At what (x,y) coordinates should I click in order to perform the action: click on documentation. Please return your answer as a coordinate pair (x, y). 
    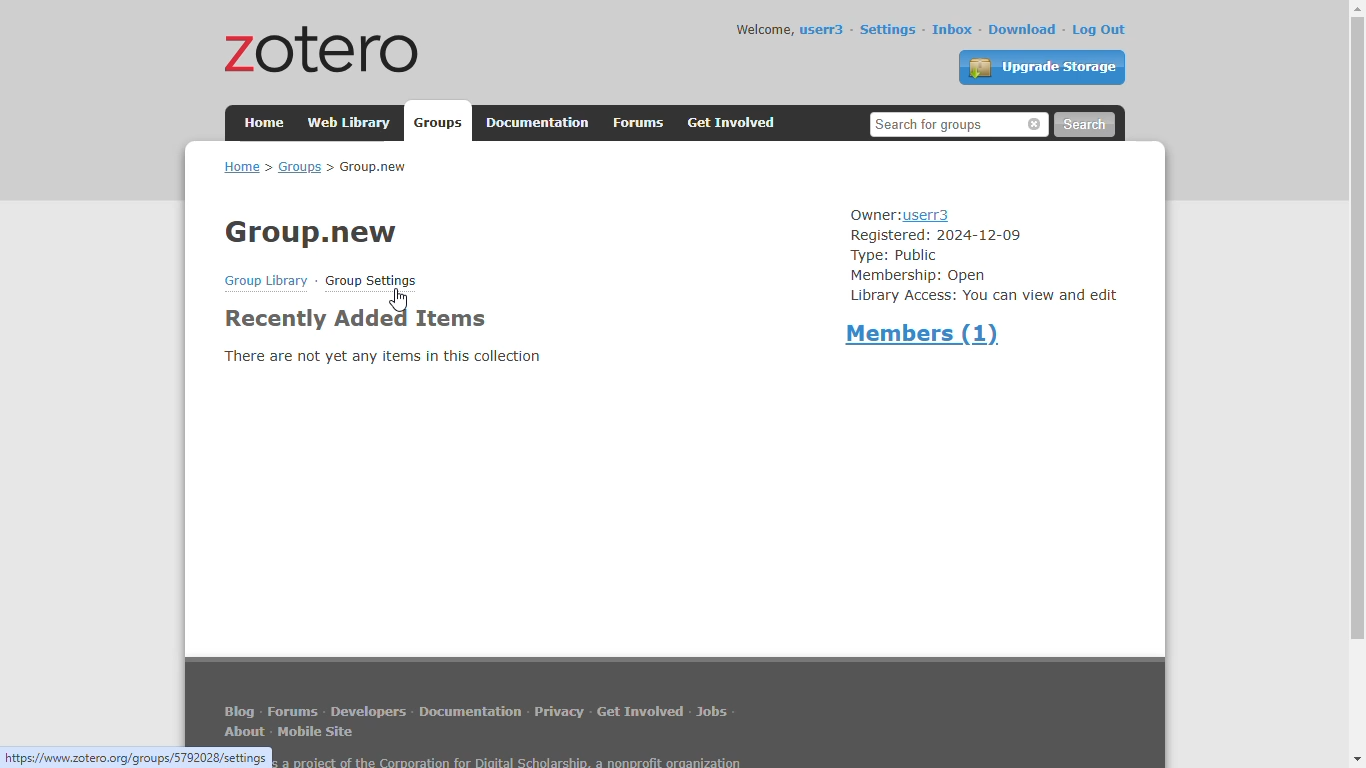
    Looking at the image, I should click on (538, 123).